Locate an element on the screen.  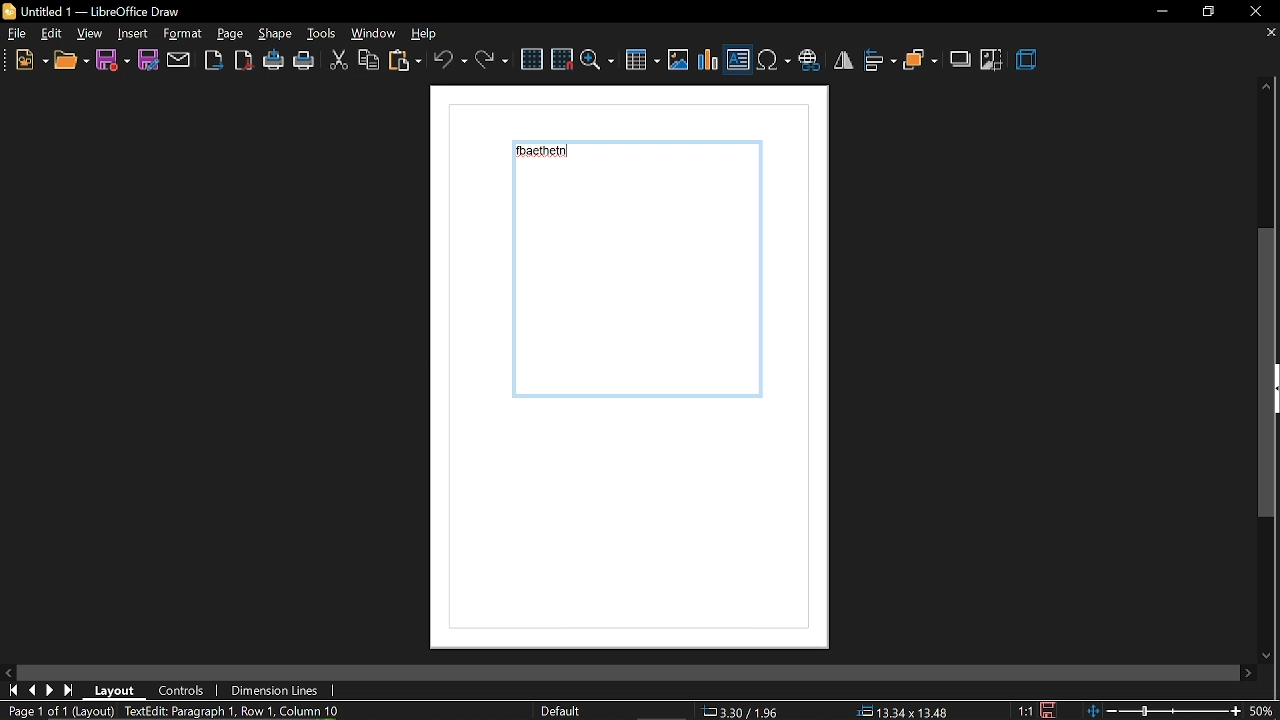
Page 1 of 1 (Layout) is located at coordinates (57, 711).